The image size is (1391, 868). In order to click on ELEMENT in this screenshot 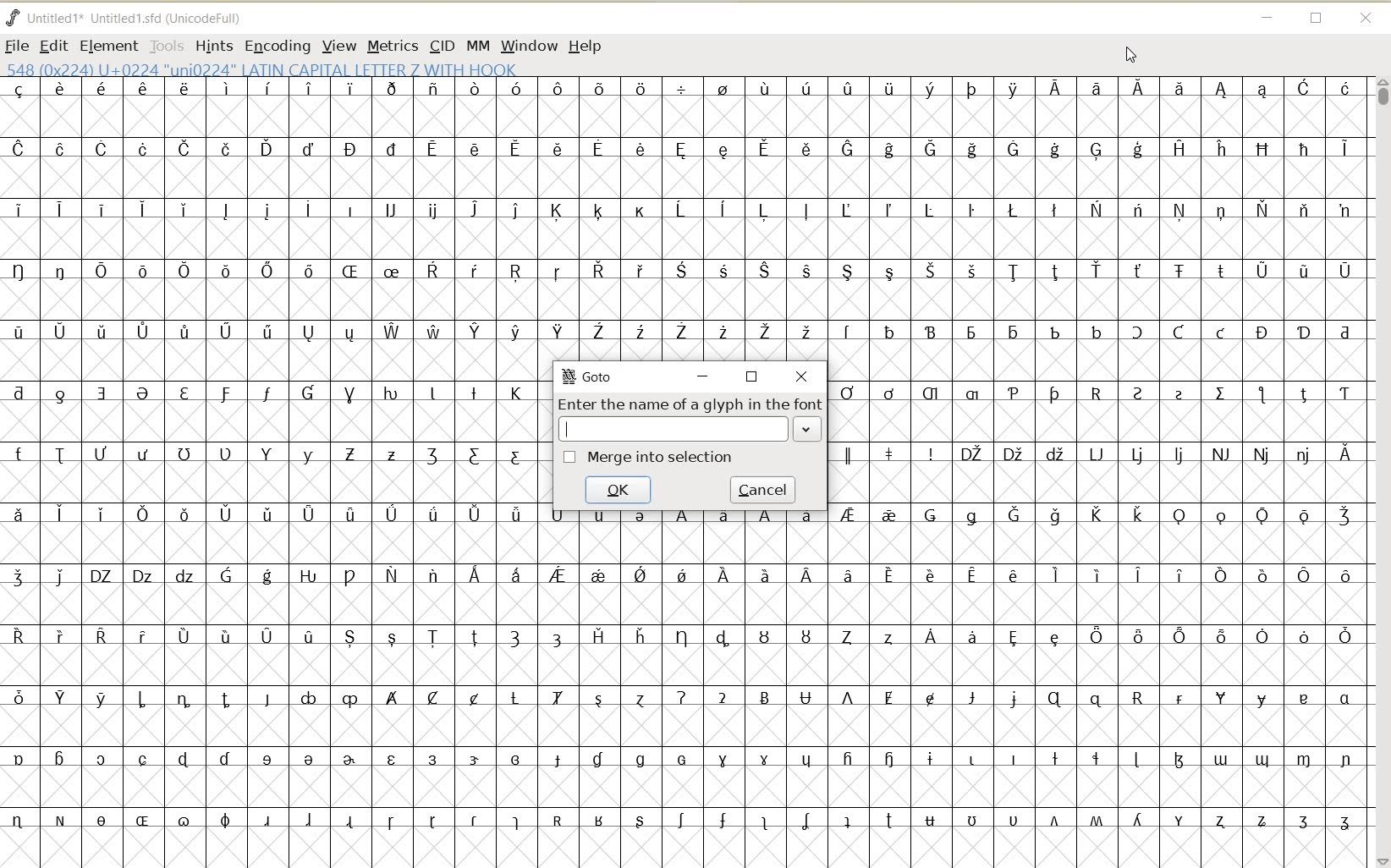, I will do `click(108, 47)`.